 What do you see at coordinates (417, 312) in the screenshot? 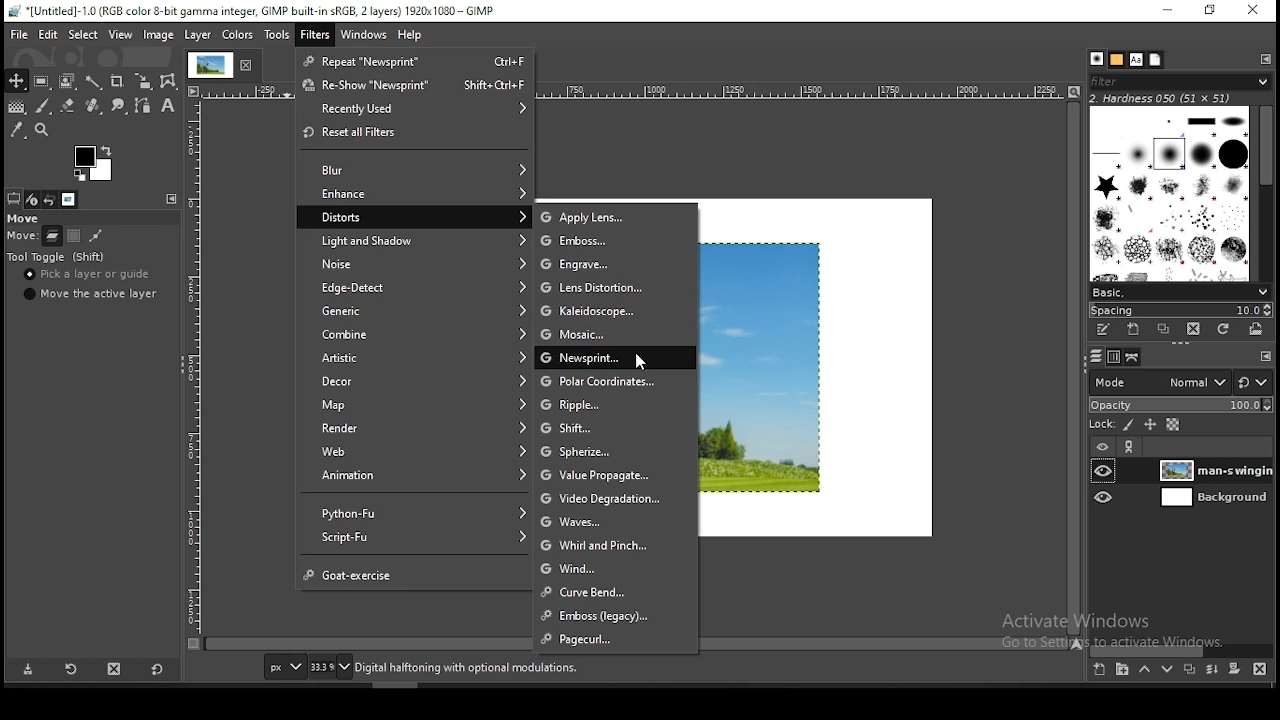
I see `generic` at bounding box center [417, 312].